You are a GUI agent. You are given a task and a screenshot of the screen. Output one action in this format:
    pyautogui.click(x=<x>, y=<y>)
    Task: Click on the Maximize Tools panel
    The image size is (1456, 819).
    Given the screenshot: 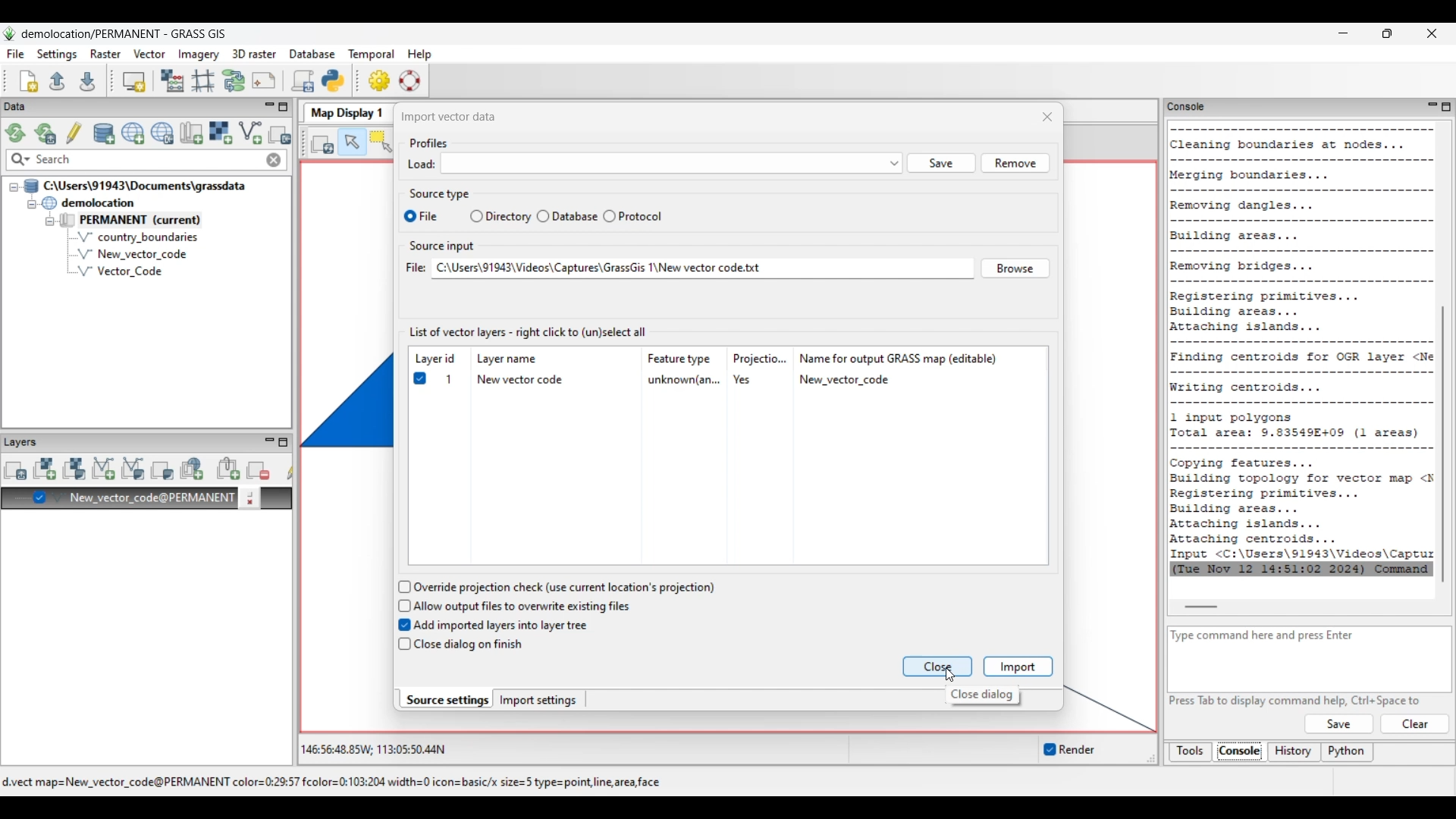 What is the action you would take?
    pyautogui.click(x=1446, y=107)
    